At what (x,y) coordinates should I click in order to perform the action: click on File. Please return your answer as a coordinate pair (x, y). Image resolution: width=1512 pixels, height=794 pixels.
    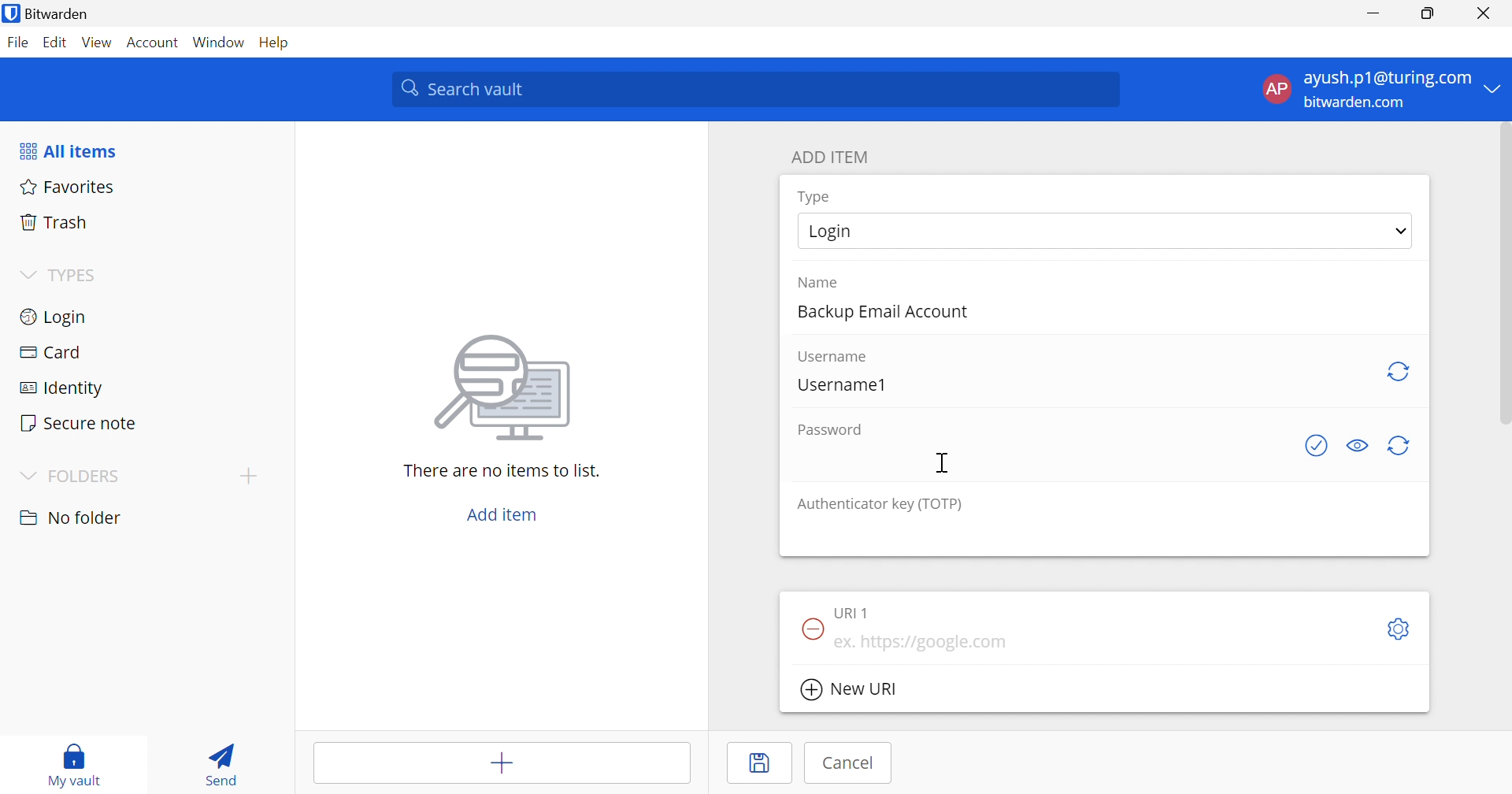
    Looking at the image, I should click on (17, 42).